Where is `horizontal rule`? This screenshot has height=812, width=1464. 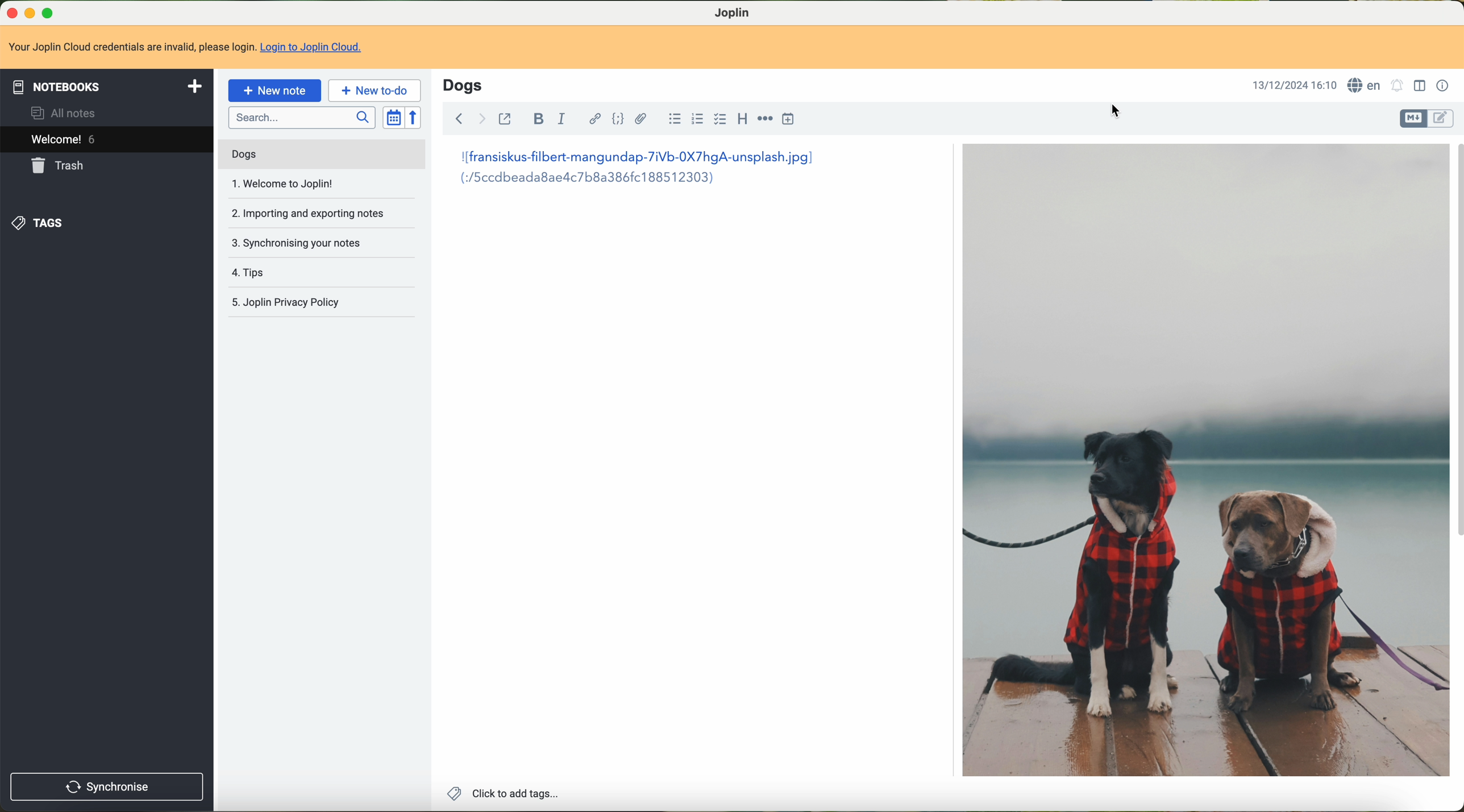 horizontal rule is located at coordinates (764, 121).